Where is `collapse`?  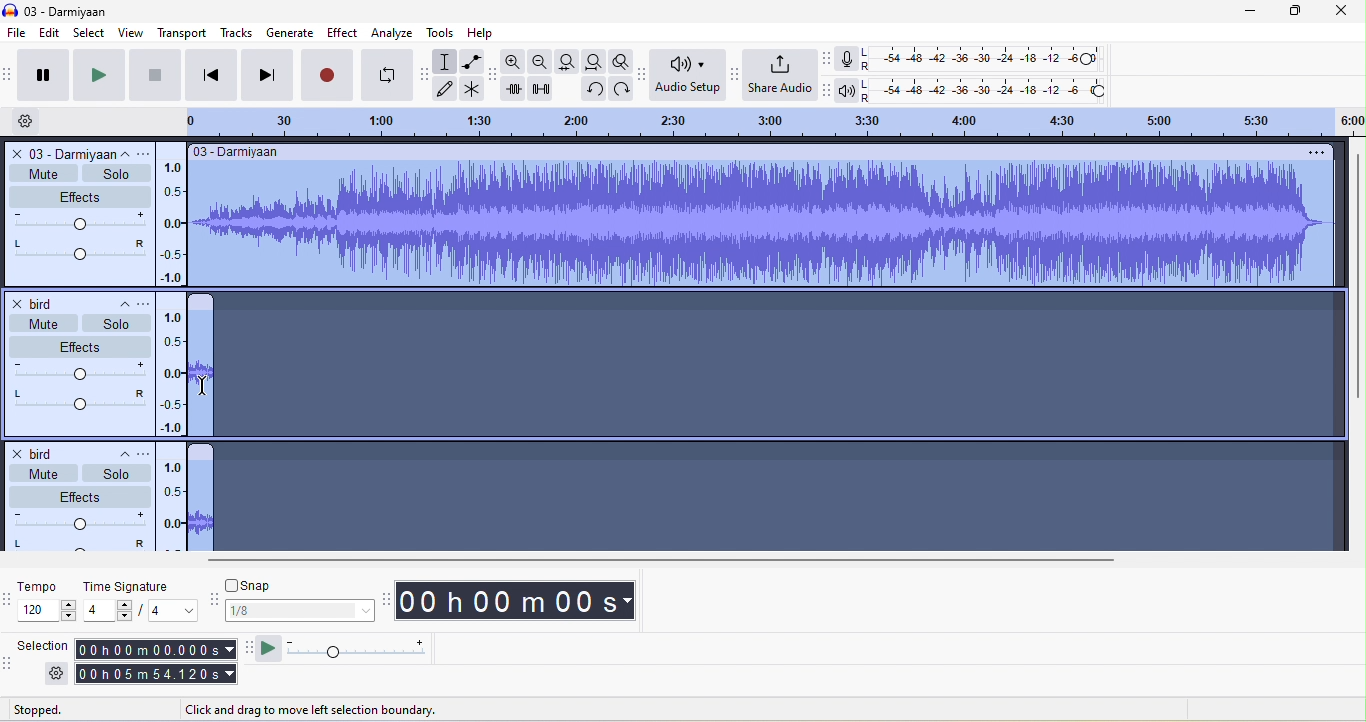 collapse is located at coordinates (129, 153).